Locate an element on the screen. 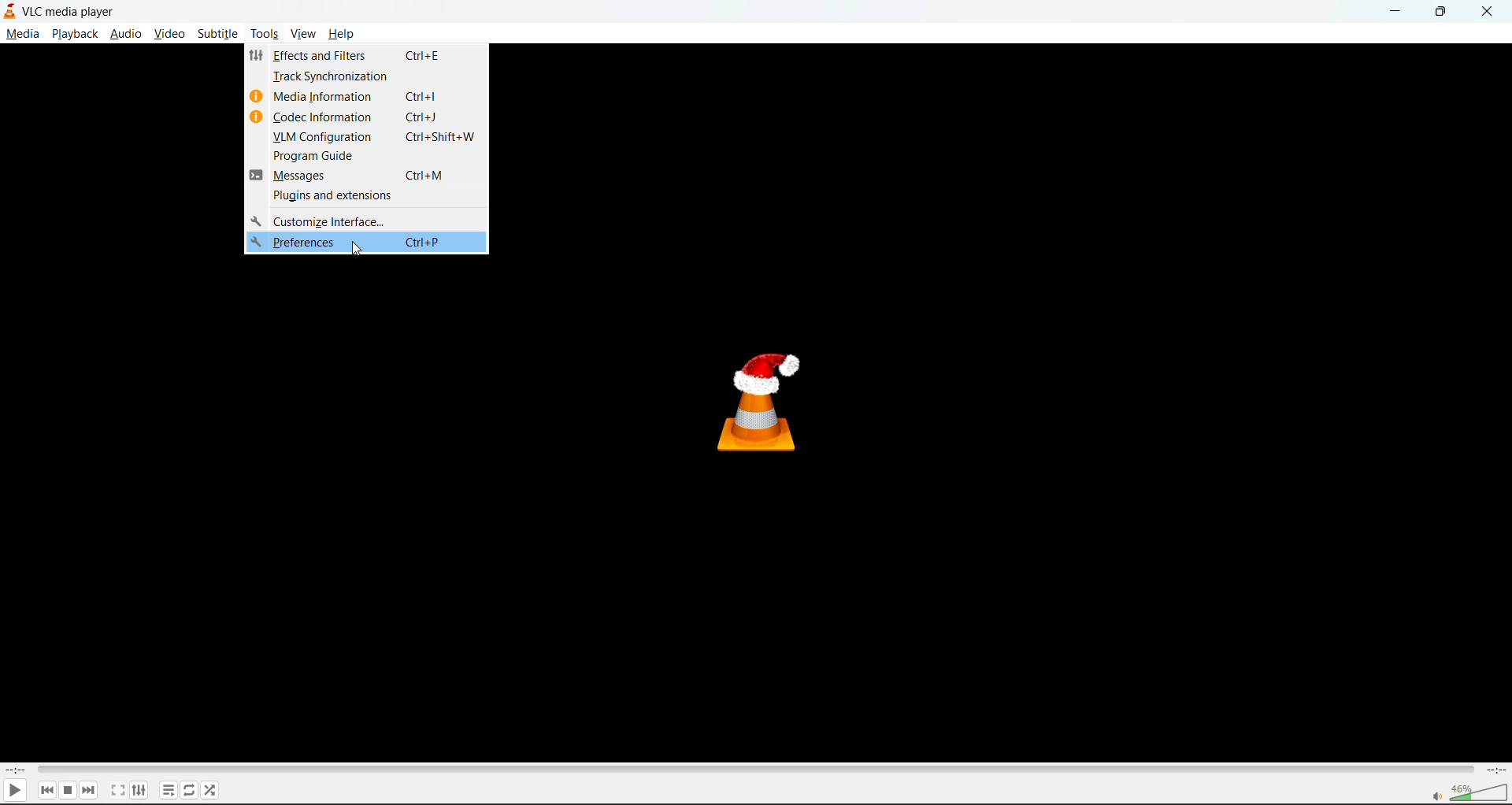 The image size is (1512, 805). loop is located at coordinates (187, 789).